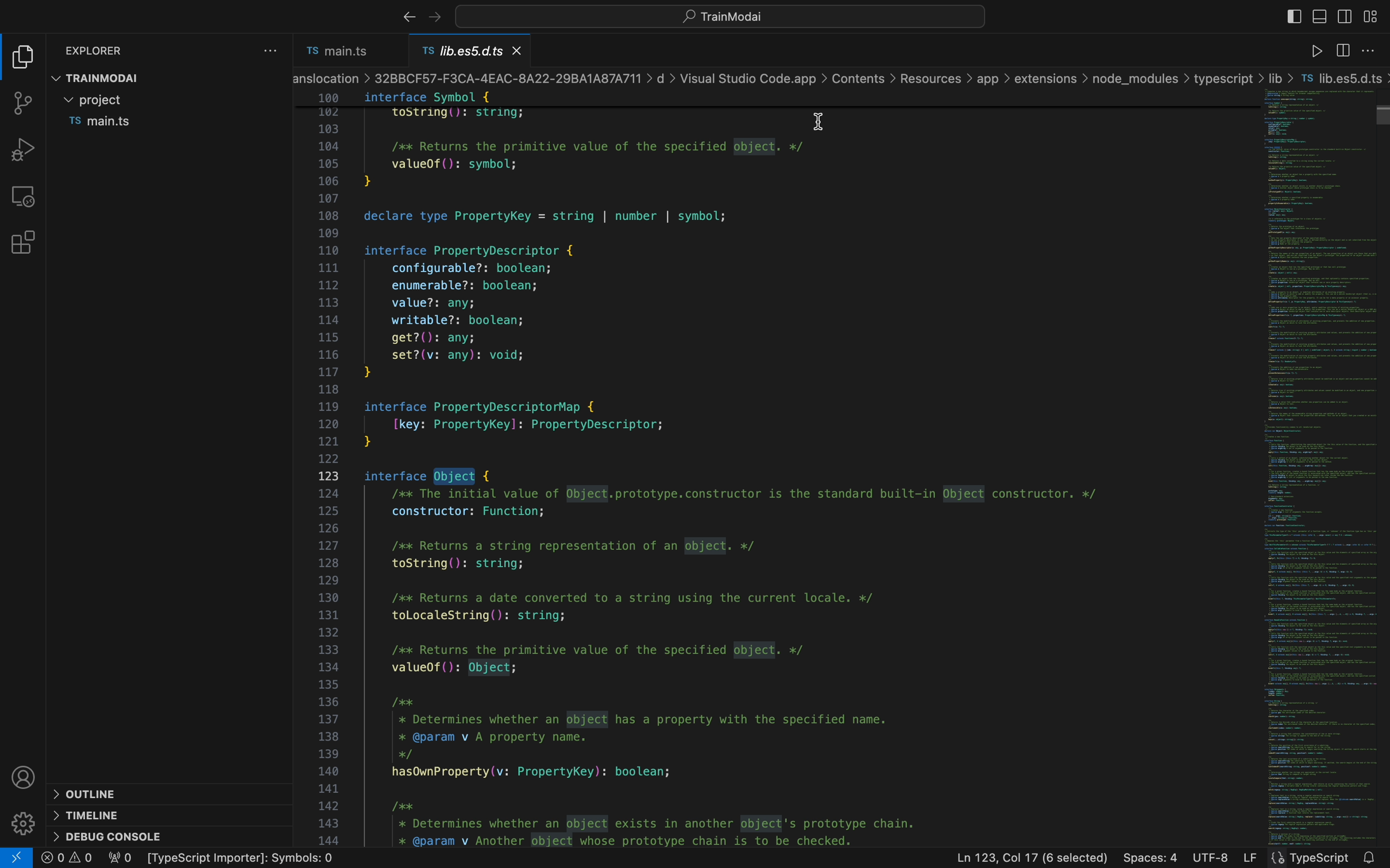 This screenshot has height=868, width=1390. Describe the element at coordinates (1311, 49) in the screenshot. I see `code runner` at that location.